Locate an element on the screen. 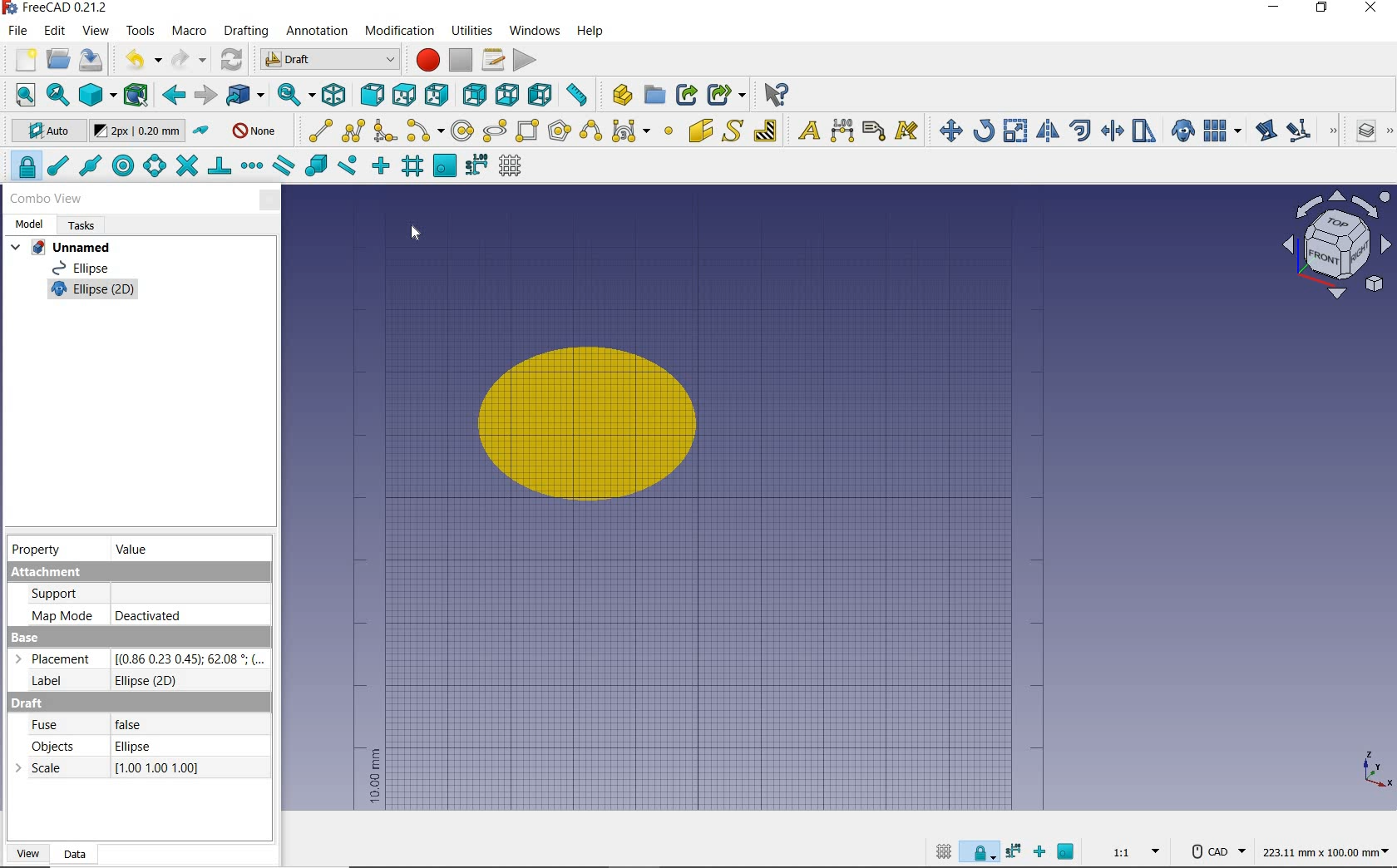 The image size is (1397, 868). ellipse is located at coordinates (88, 268).